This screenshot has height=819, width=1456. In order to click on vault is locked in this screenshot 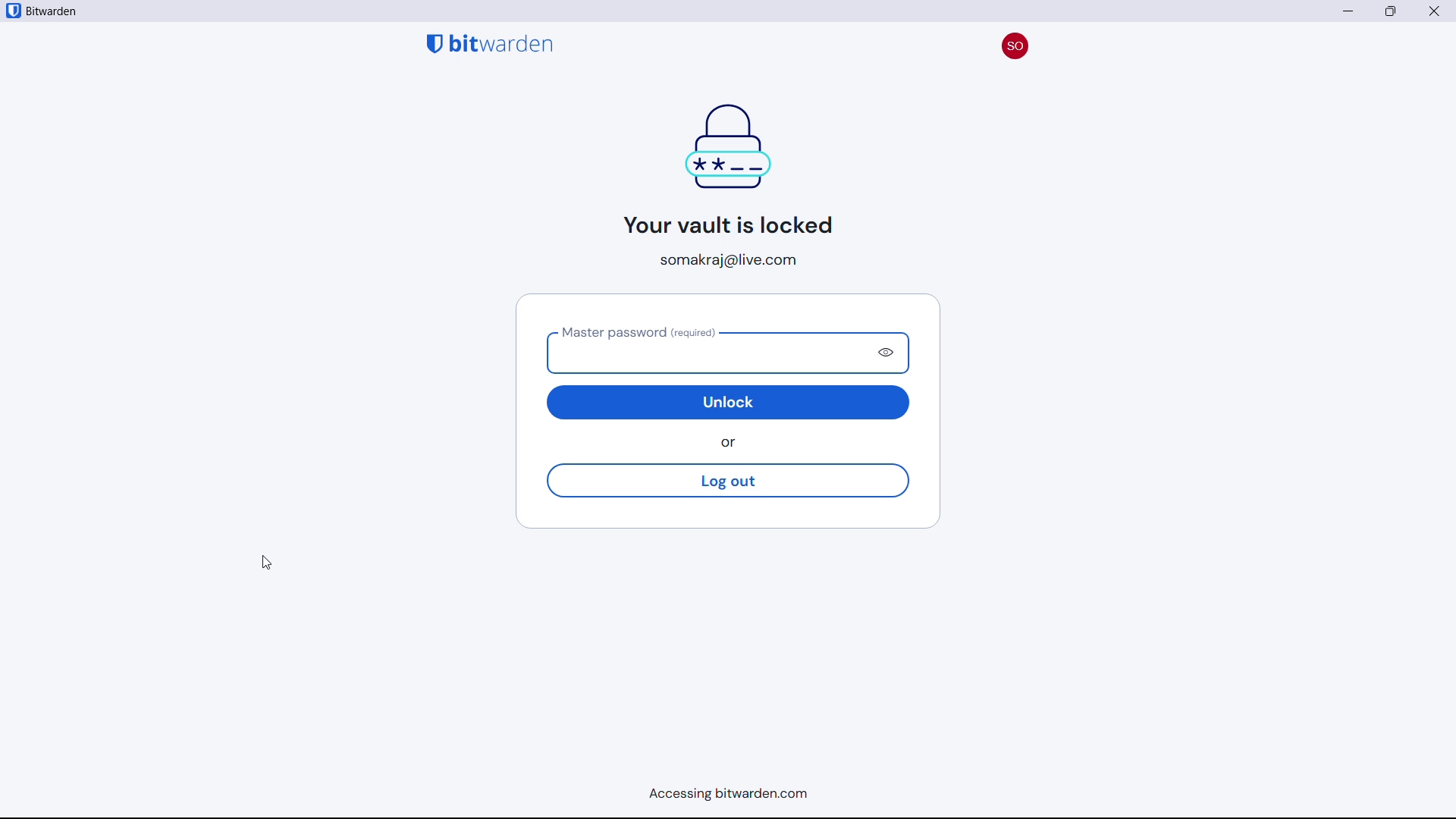, I will do `click(721, 168)`.